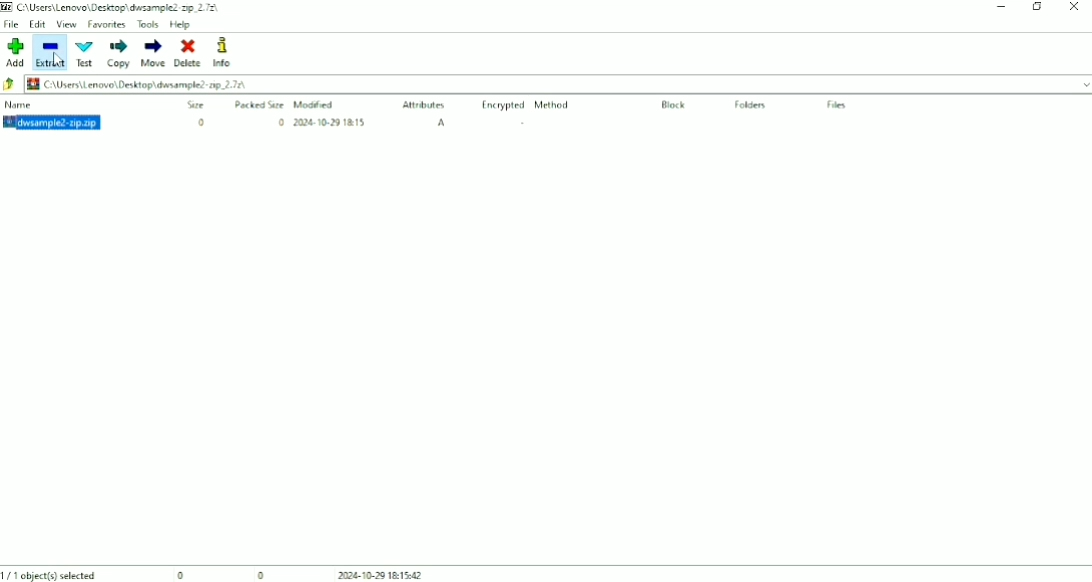 This screenshot has height=582, width=1092. I want to click on 0, so click(280, 123).